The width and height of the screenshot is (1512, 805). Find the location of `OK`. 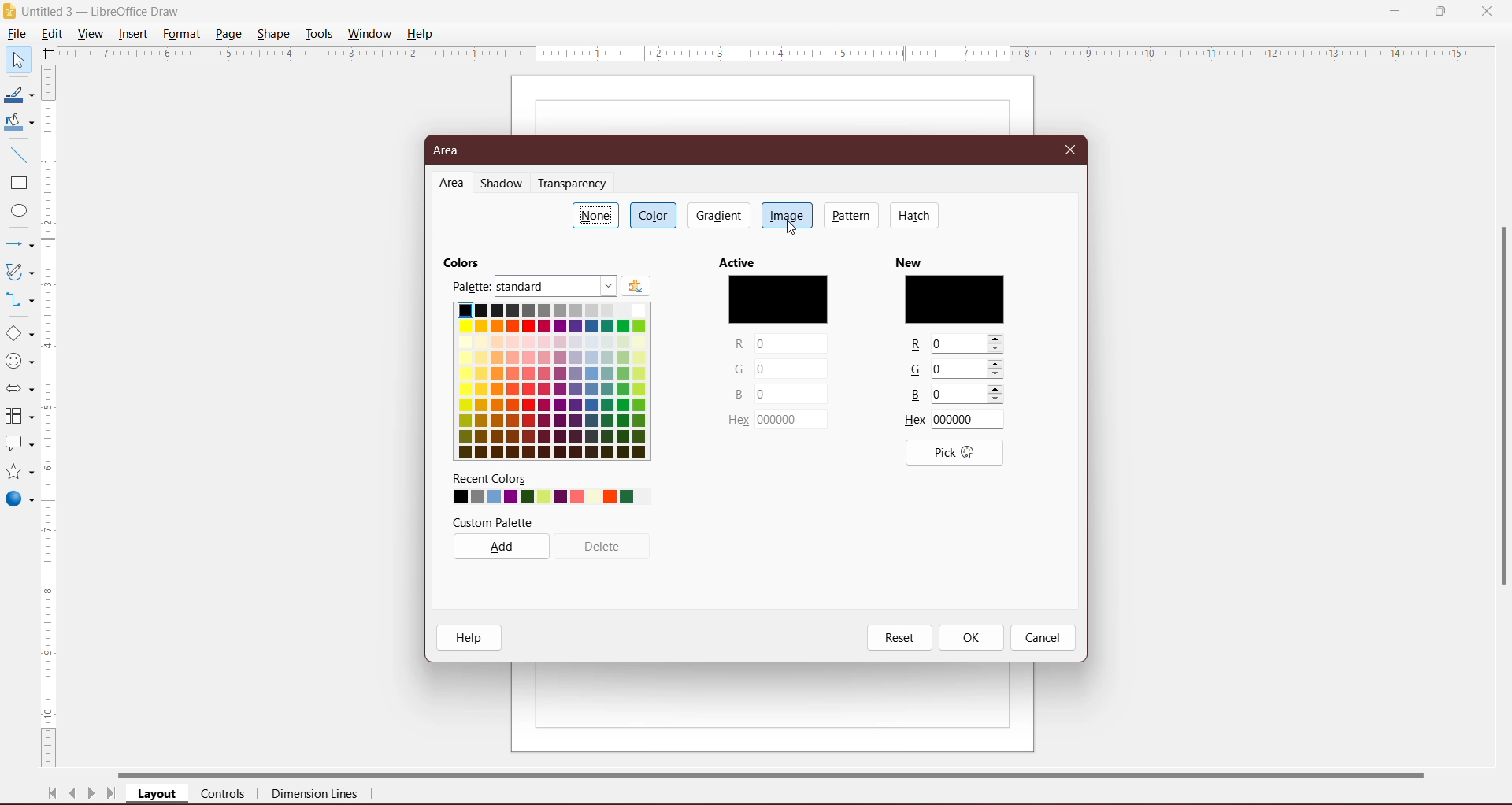

OK is located at coordinates (970, 638).